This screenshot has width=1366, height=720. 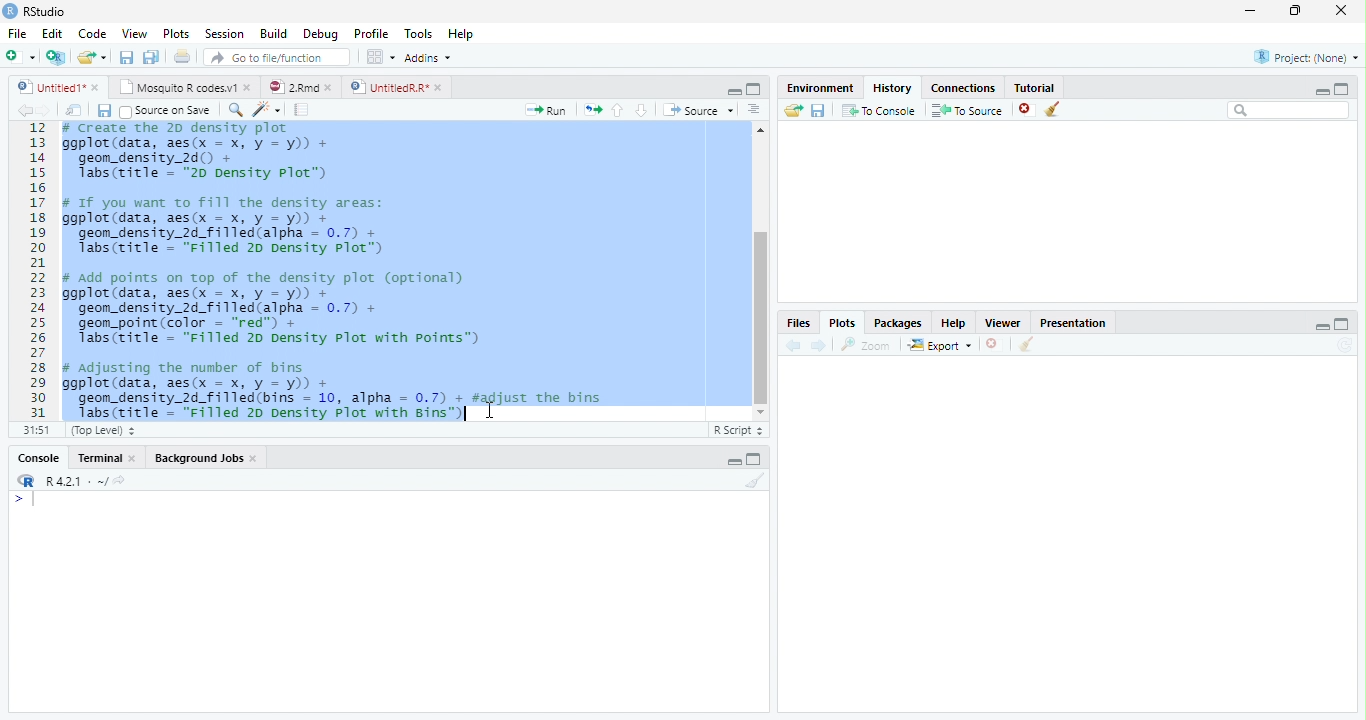 I want to click on maximize, so click(x=756, y=459).